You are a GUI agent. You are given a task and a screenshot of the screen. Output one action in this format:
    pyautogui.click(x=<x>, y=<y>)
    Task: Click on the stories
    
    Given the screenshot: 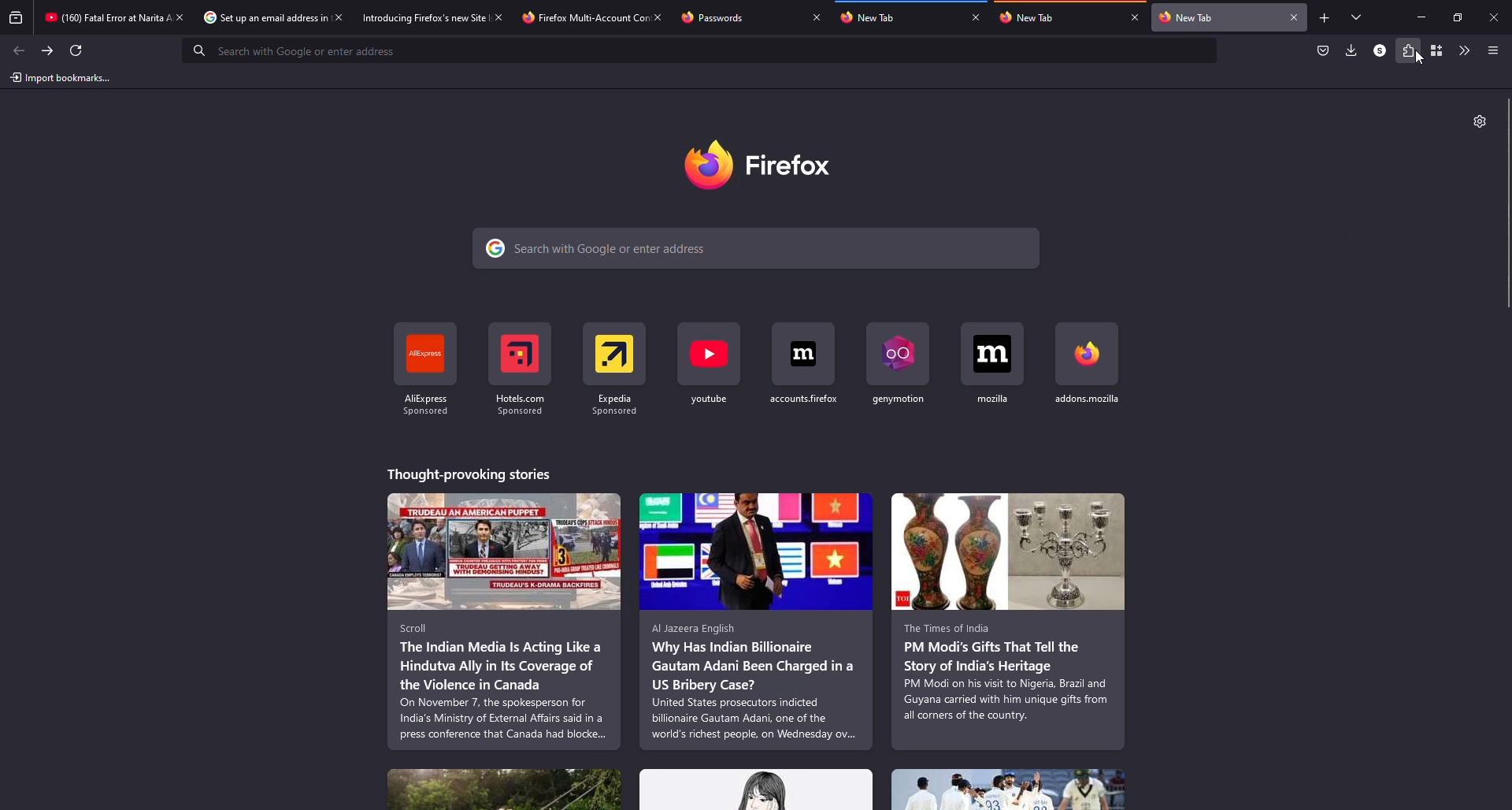 What is the action you would take?
    pyautogui.click(x=1010, y=621)
    